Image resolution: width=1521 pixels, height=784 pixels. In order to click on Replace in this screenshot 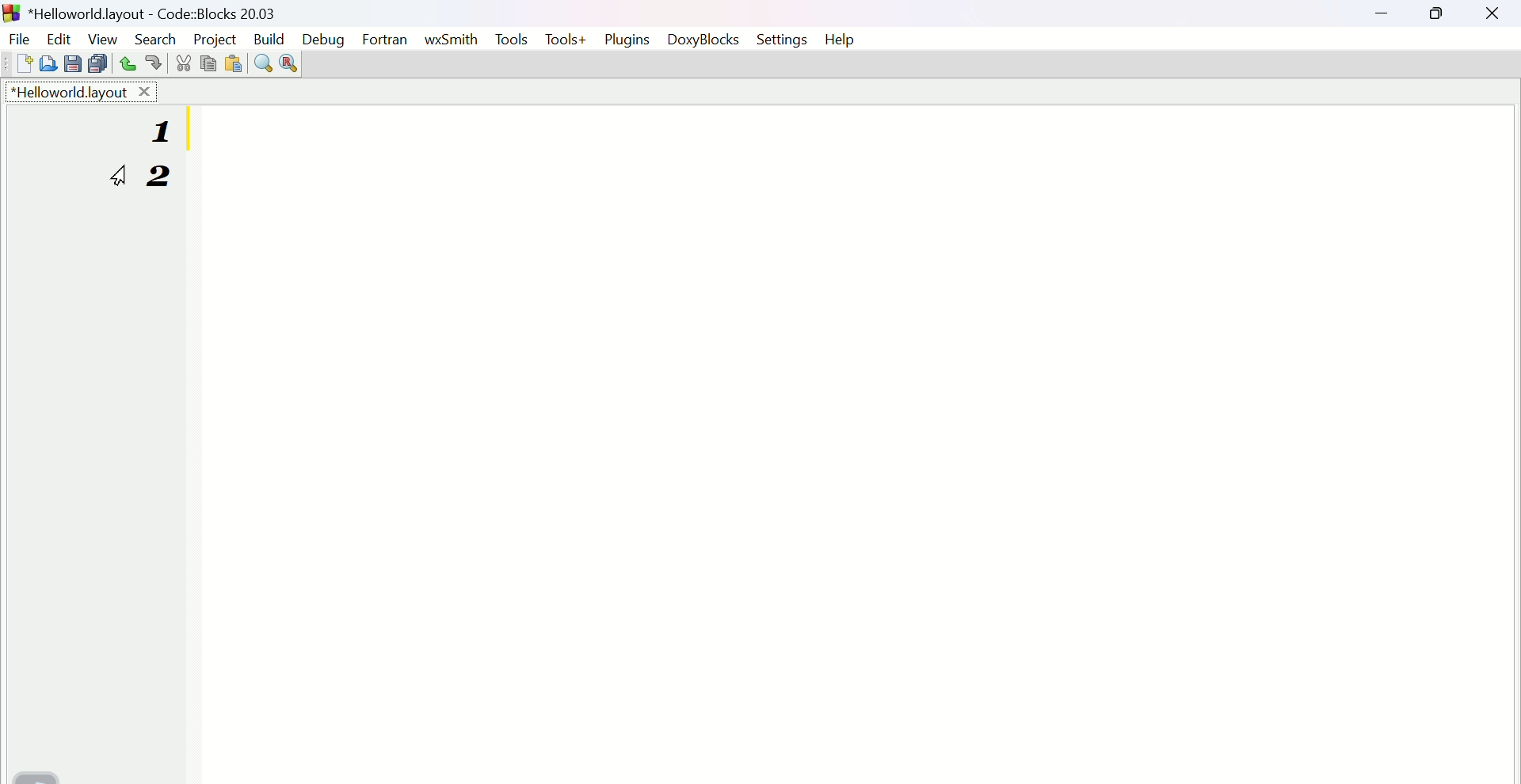, I will do `click(291, 64)`.